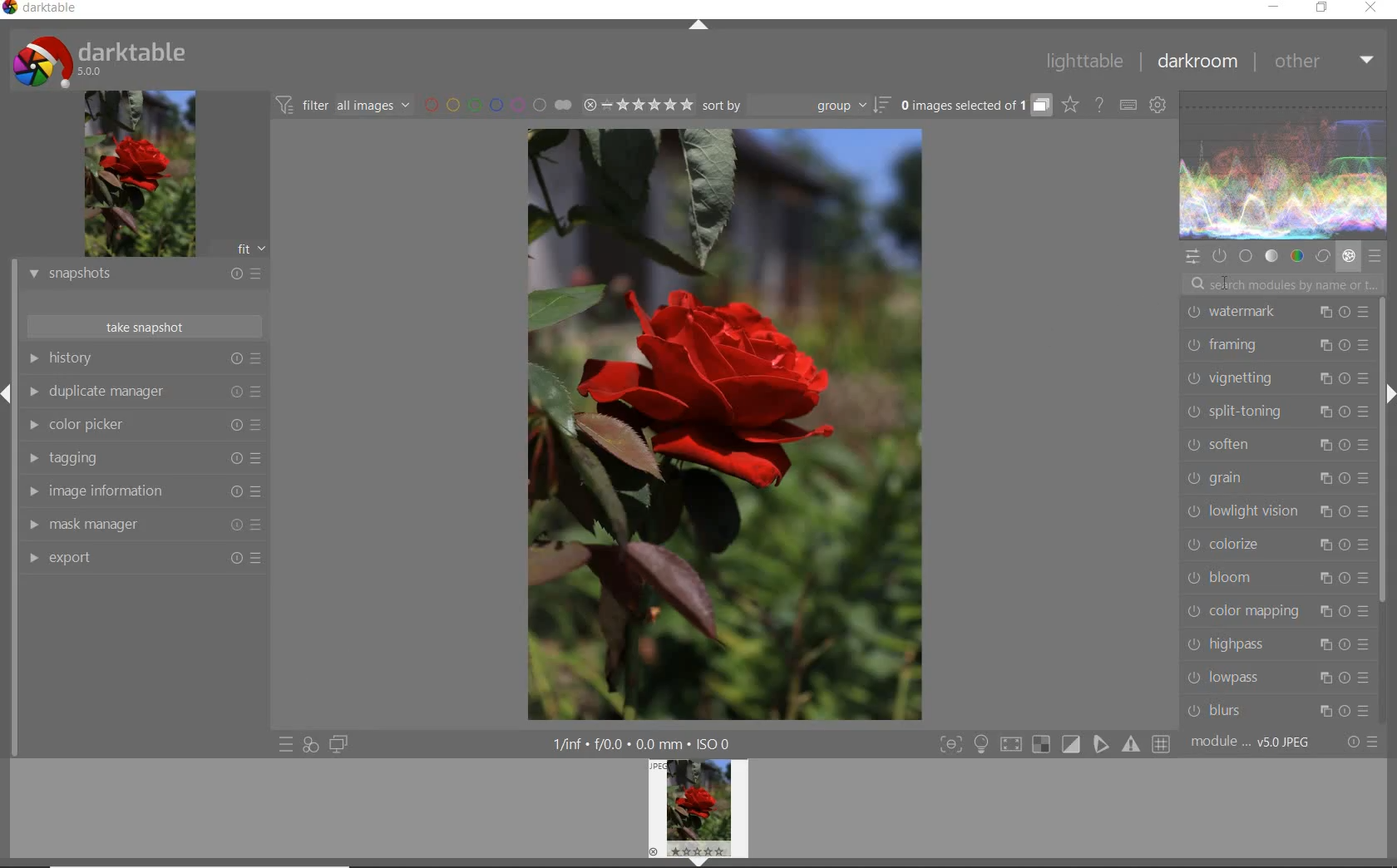  What do you see at coordinates (1275, 478) in the screenshot?
I see `grain` at bounding box center [1275, 478].